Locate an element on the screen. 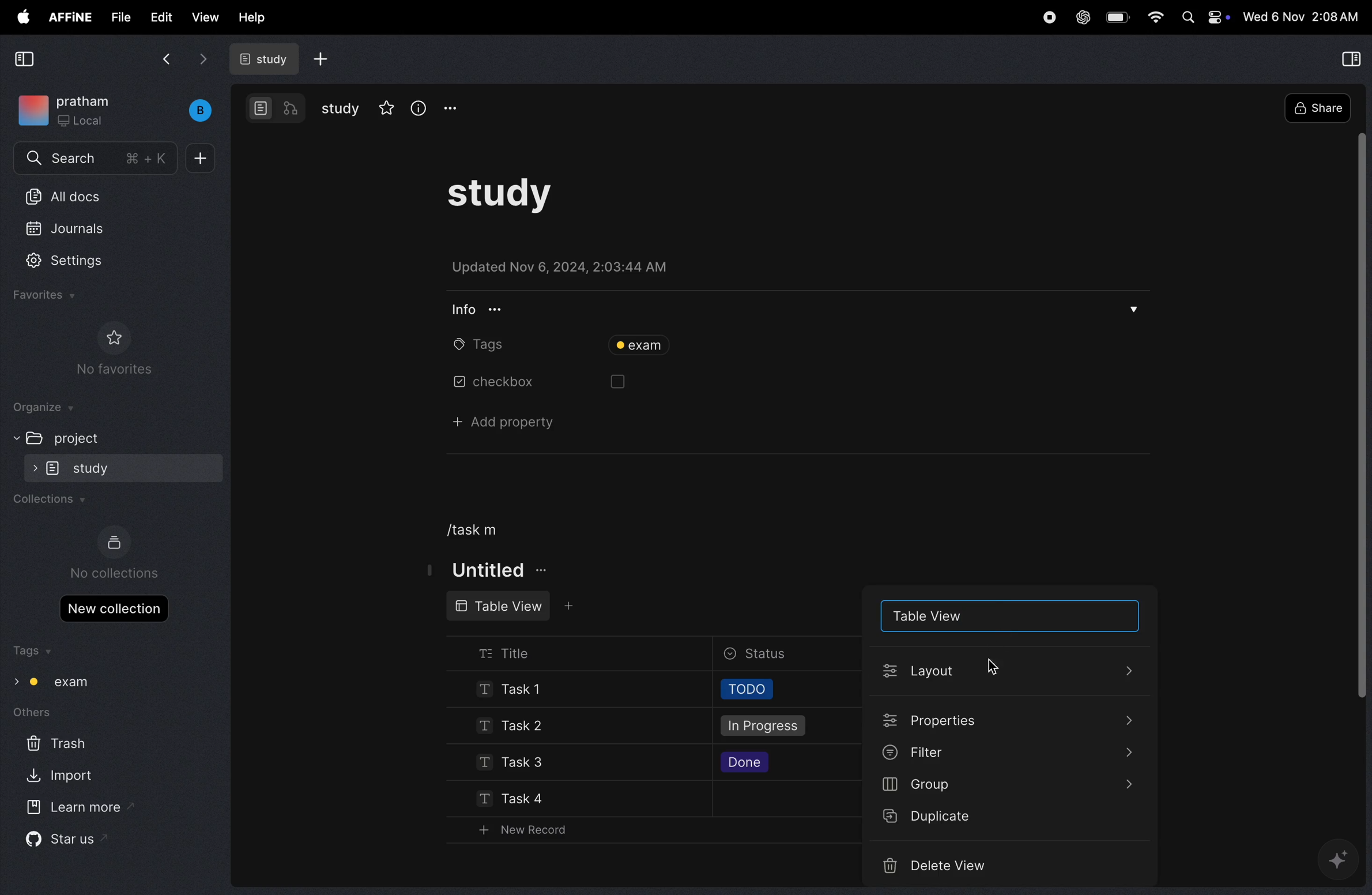 This screenshot has width=1372, height=895. file is located at coordinates (117, 18).